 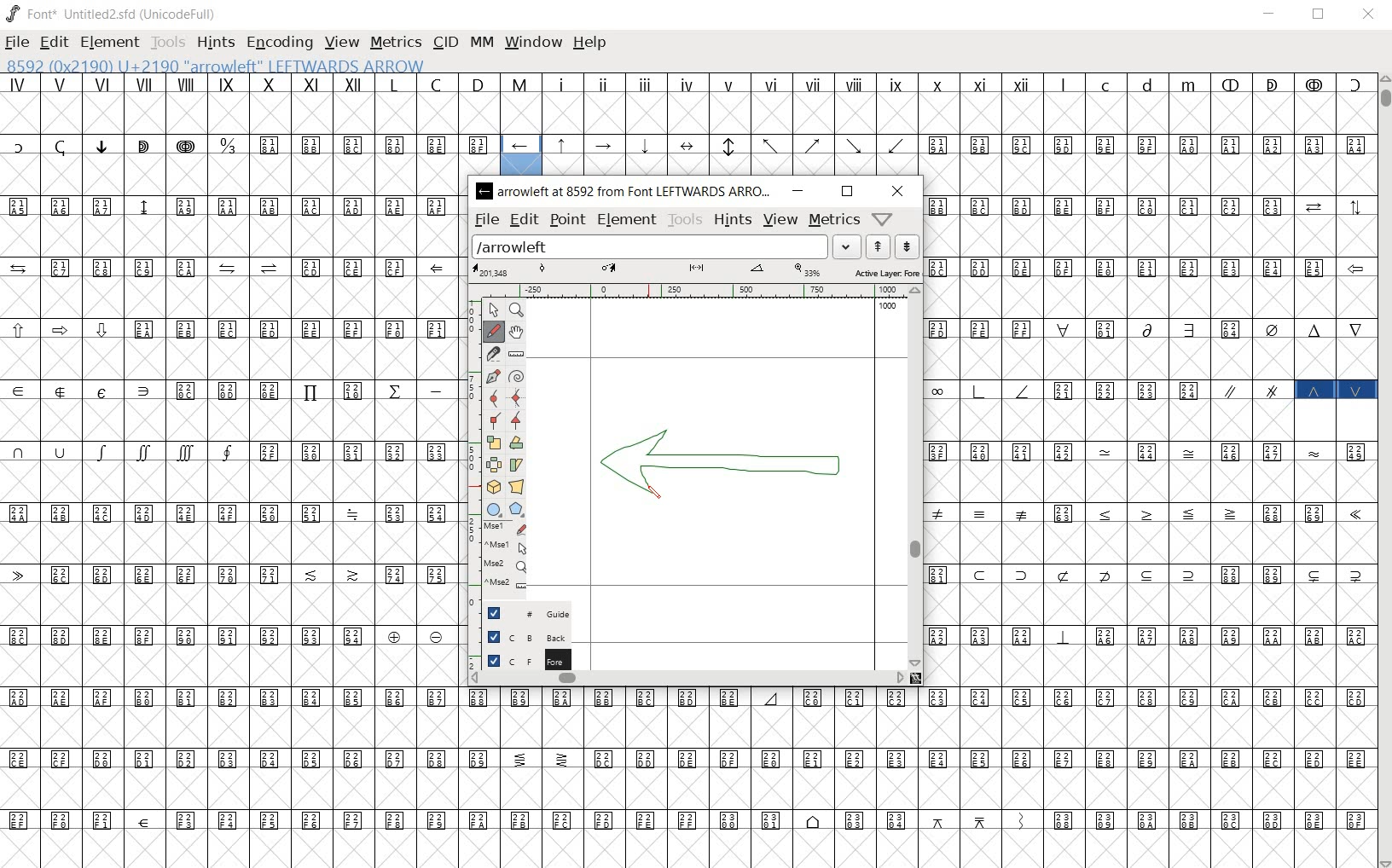 I want to click on pencil tool, so click(x=660, y=499).